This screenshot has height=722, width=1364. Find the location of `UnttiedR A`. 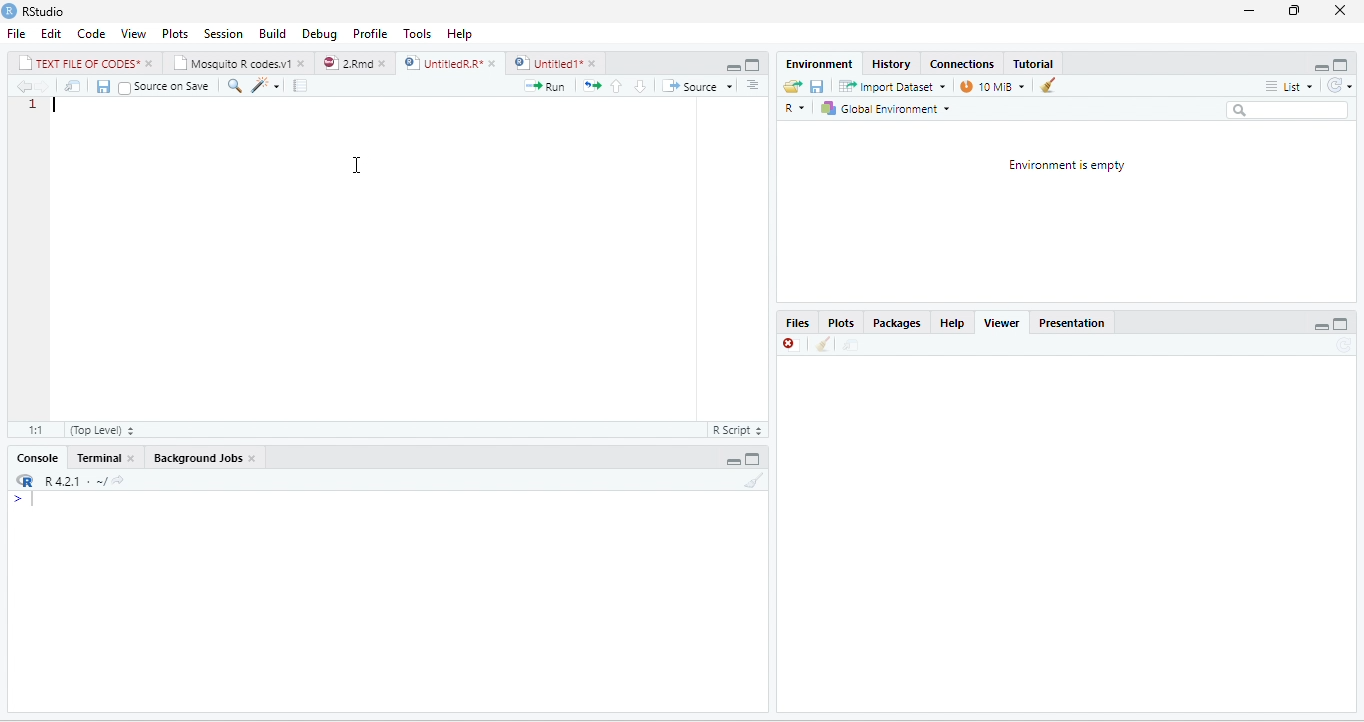

UnttiedR A is located at coordinates (443, 62).